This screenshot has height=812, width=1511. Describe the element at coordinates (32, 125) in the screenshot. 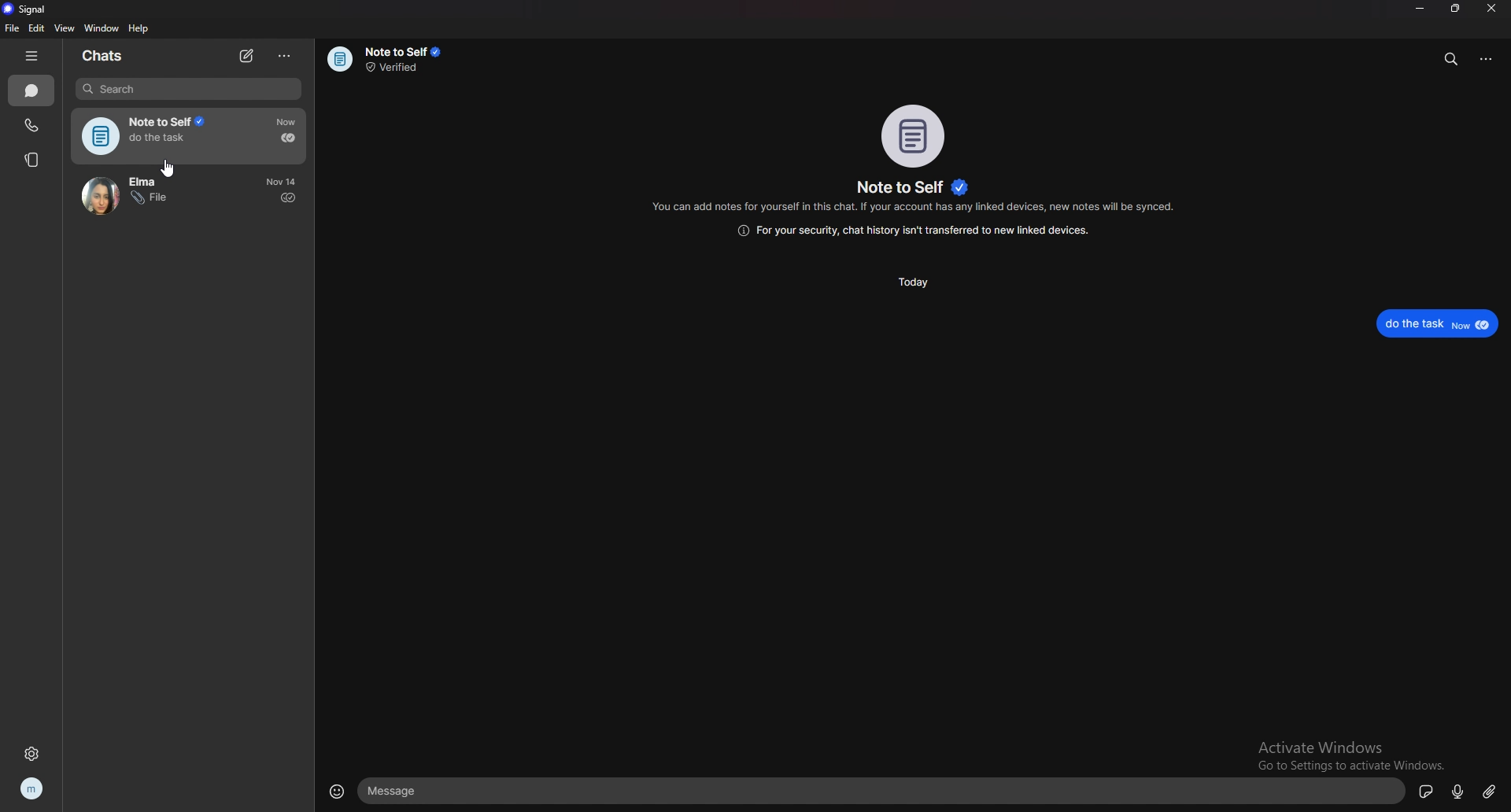

I see `calls` at that location.